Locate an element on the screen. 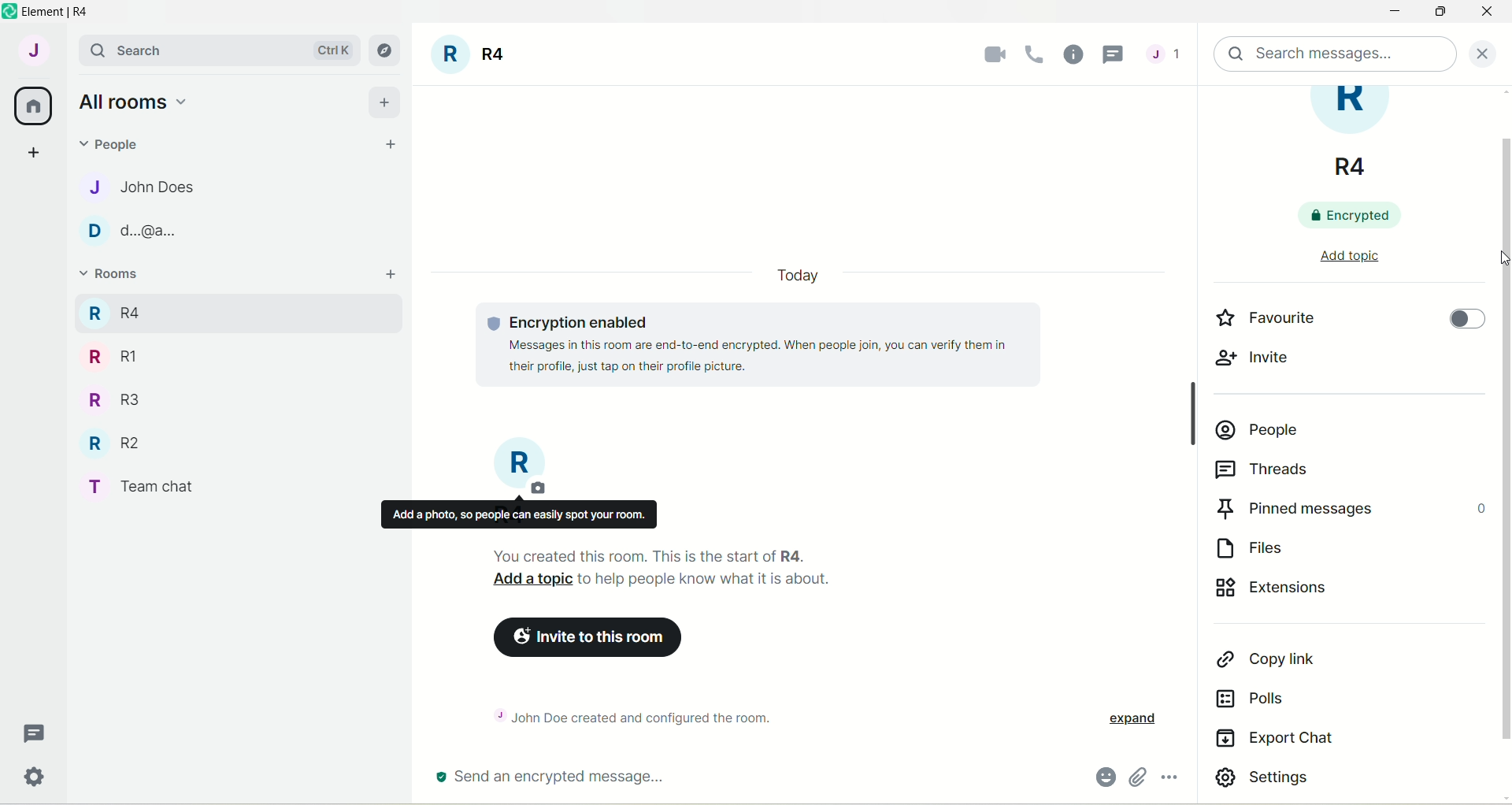 This screenshot has width=1512, height=805. start chat is located at coordinates (391, 146).